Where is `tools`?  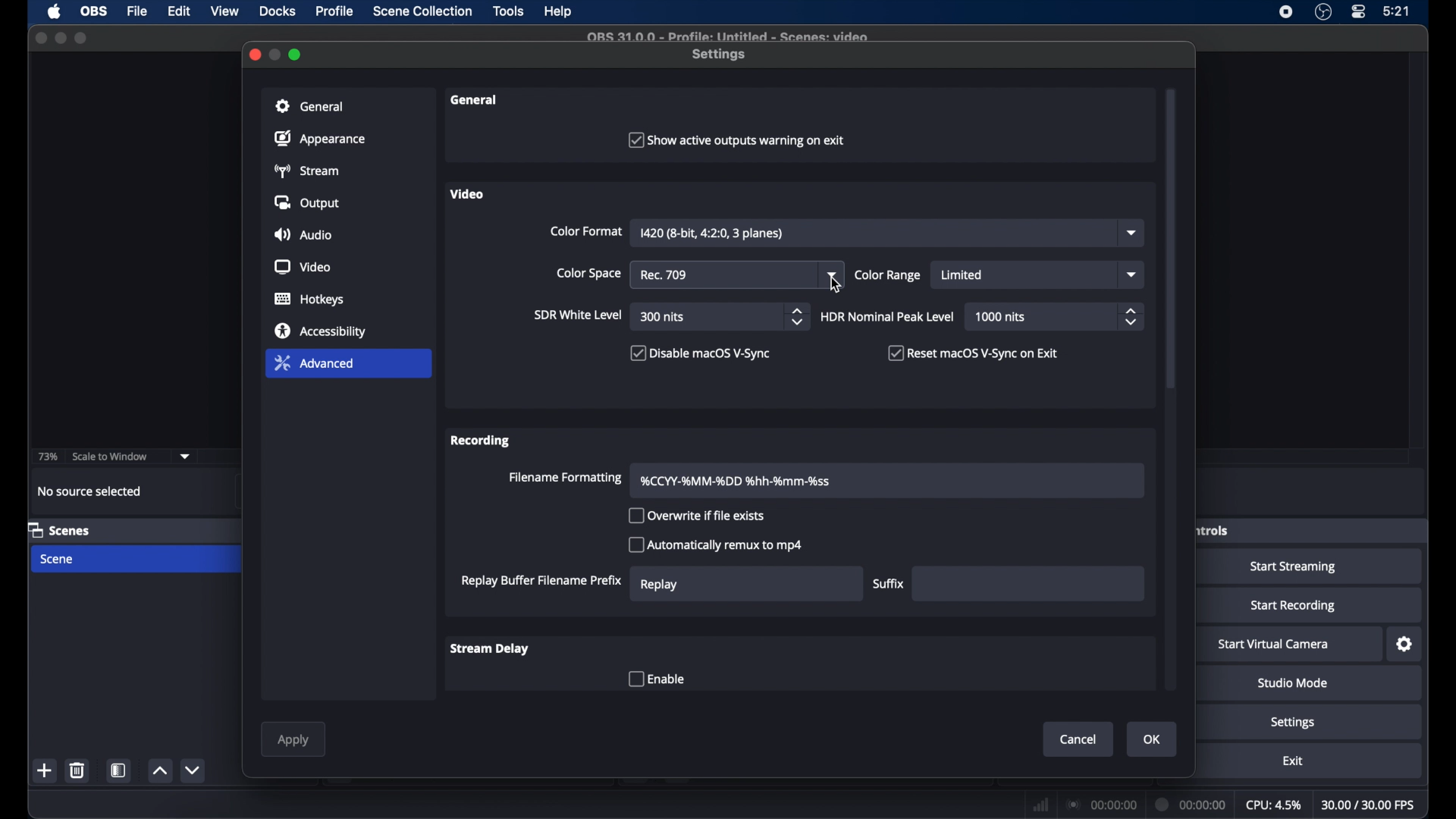
tools is located at coordinates (510, 11).